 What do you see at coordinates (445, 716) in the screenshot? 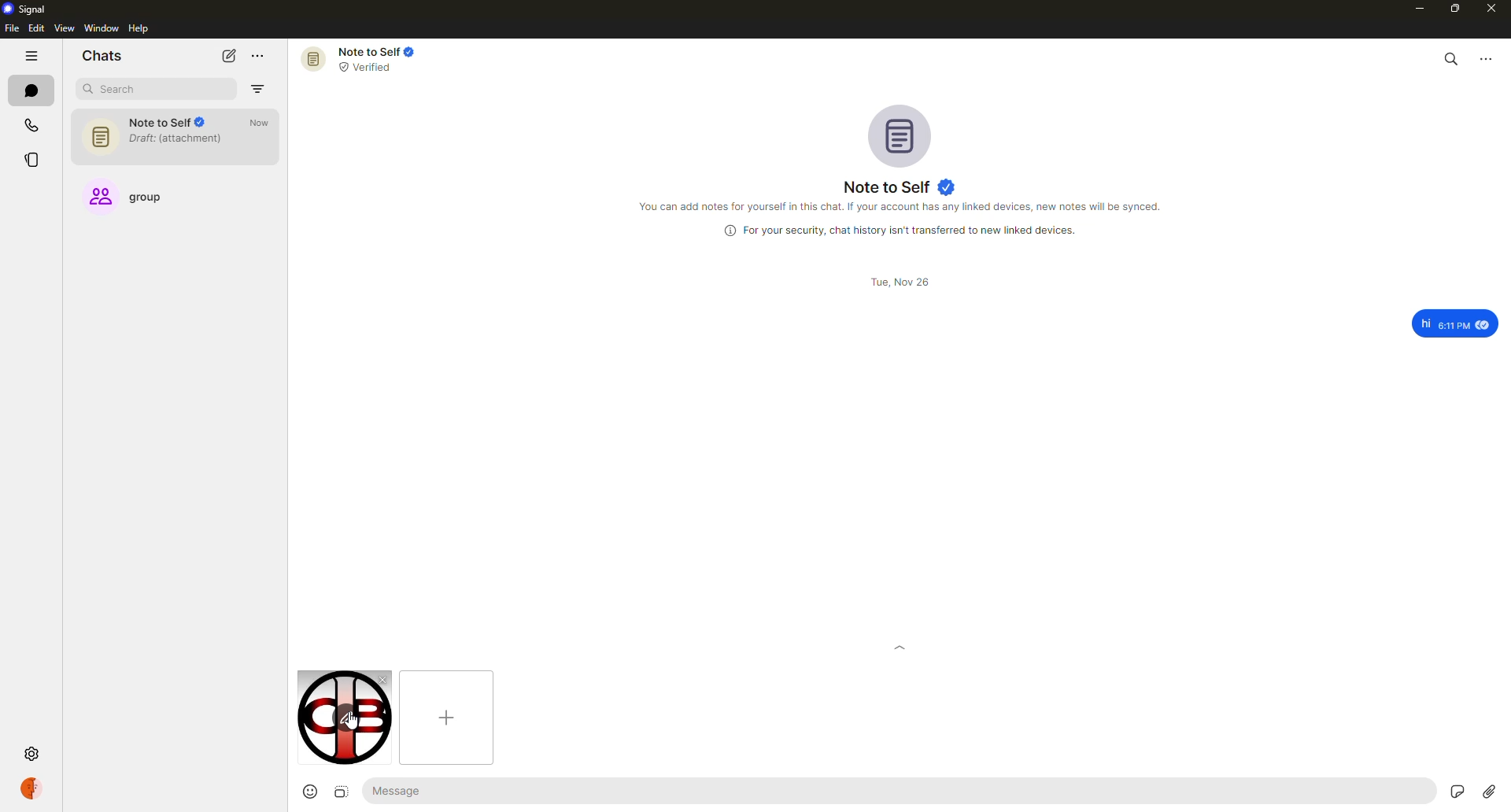
I see `add` at bounding box center [445, 716].